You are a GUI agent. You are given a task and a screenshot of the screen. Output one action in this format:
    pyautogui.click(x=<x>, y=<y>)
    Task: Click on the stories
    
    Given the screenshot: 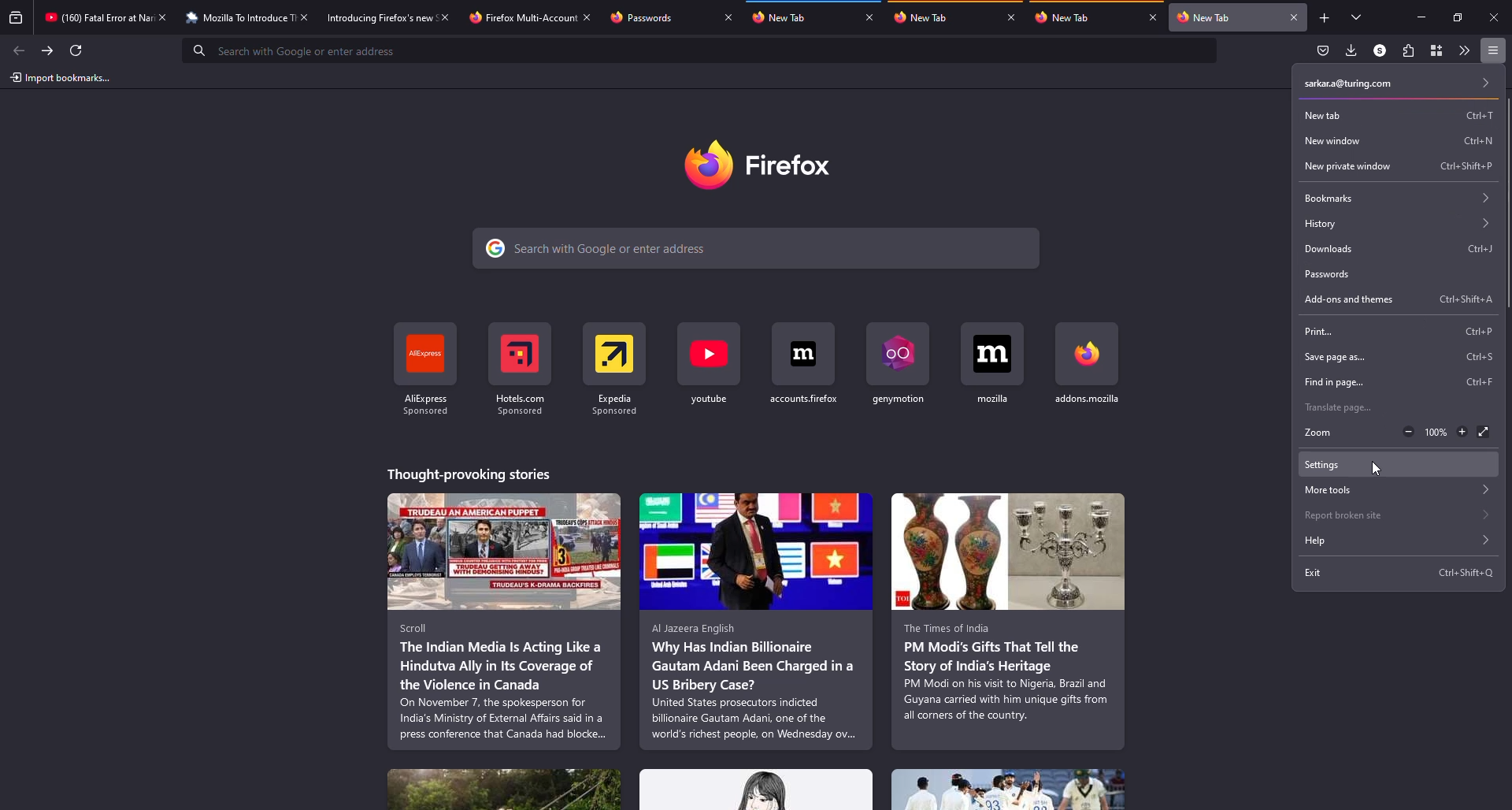 What is the action you would take?
    pyautogui.click(x=756, y=622)
    